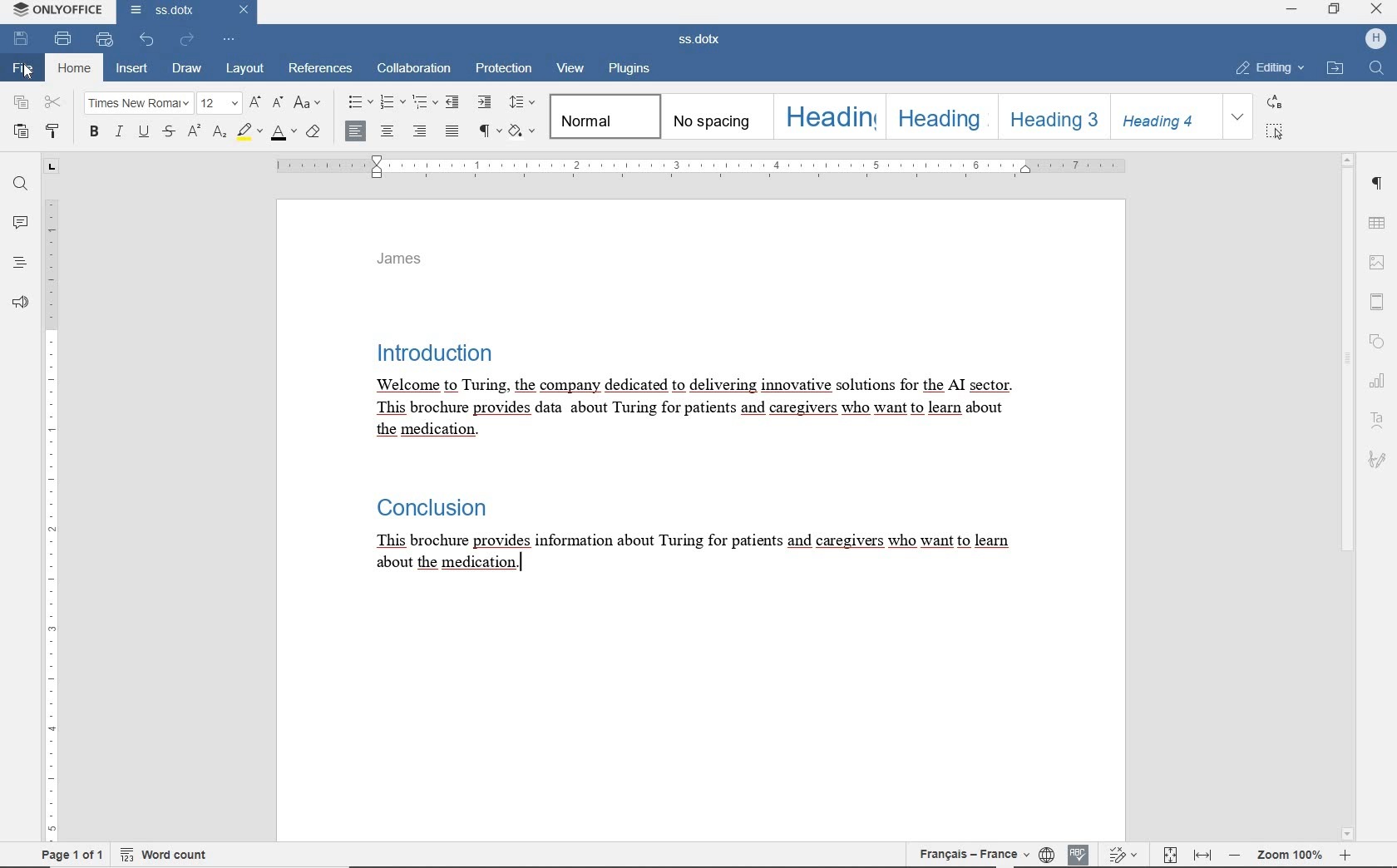  Describe the element at coordinates (486, 103) in the screenshot. I see `INCREASE INDENT` at that location.